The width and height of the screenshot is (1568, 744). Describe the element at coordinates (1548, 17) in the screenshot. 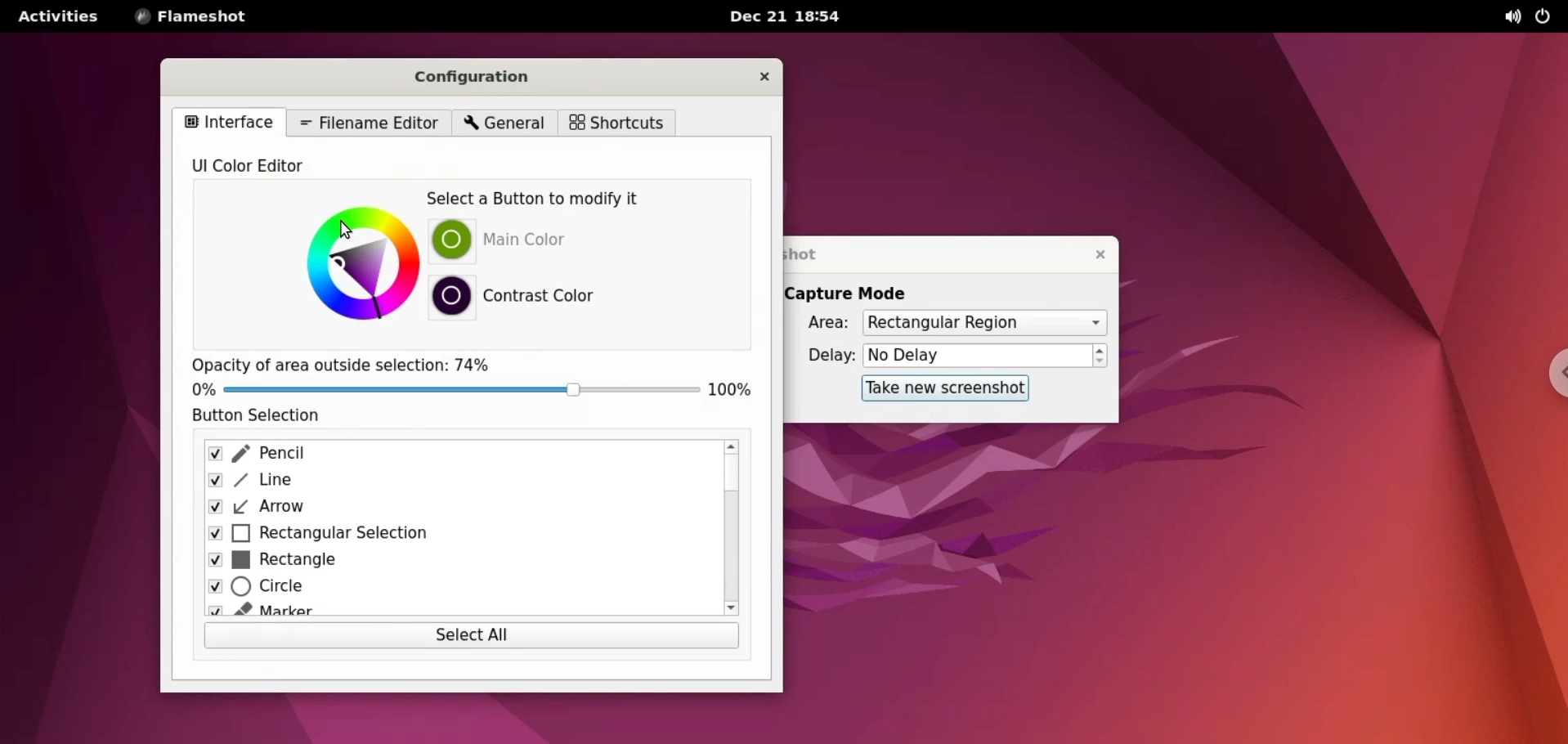

I see `power options` at that location.